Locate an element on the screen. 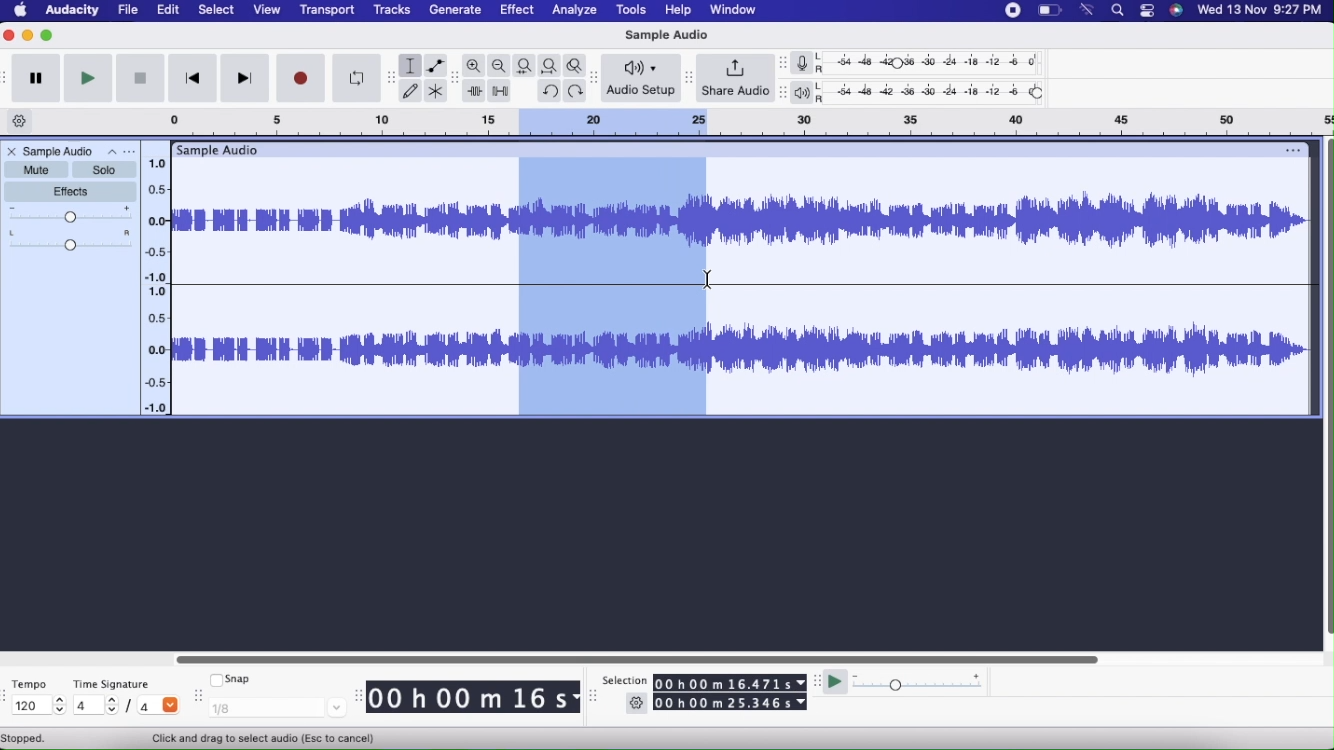  Recording level is located at coordinates (937, 65).